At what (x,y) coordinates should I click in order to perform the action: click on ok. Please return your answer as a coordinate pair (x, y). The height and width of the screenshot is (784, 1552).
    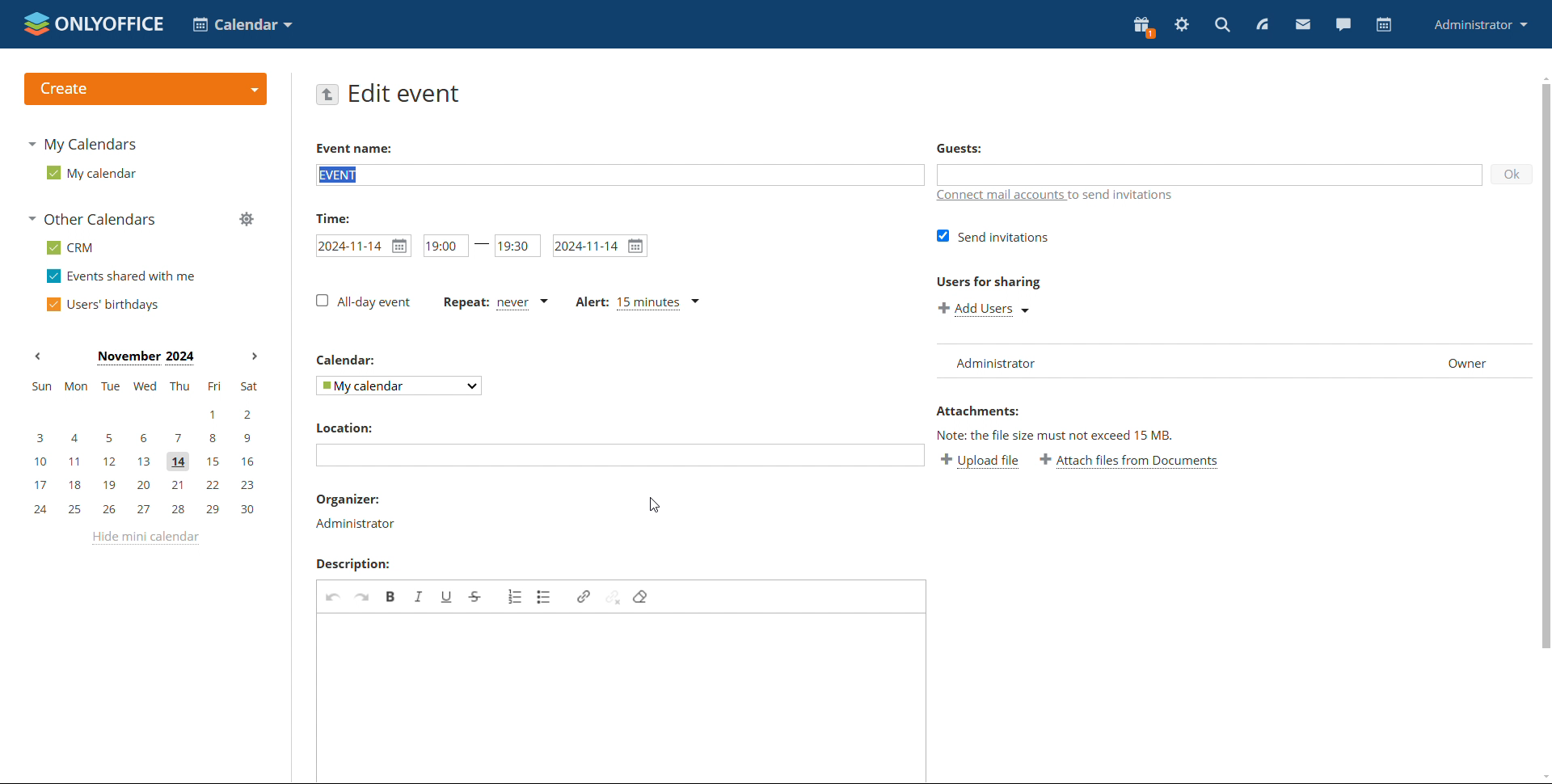
    Looking at the image, I should click on (1512, 175).